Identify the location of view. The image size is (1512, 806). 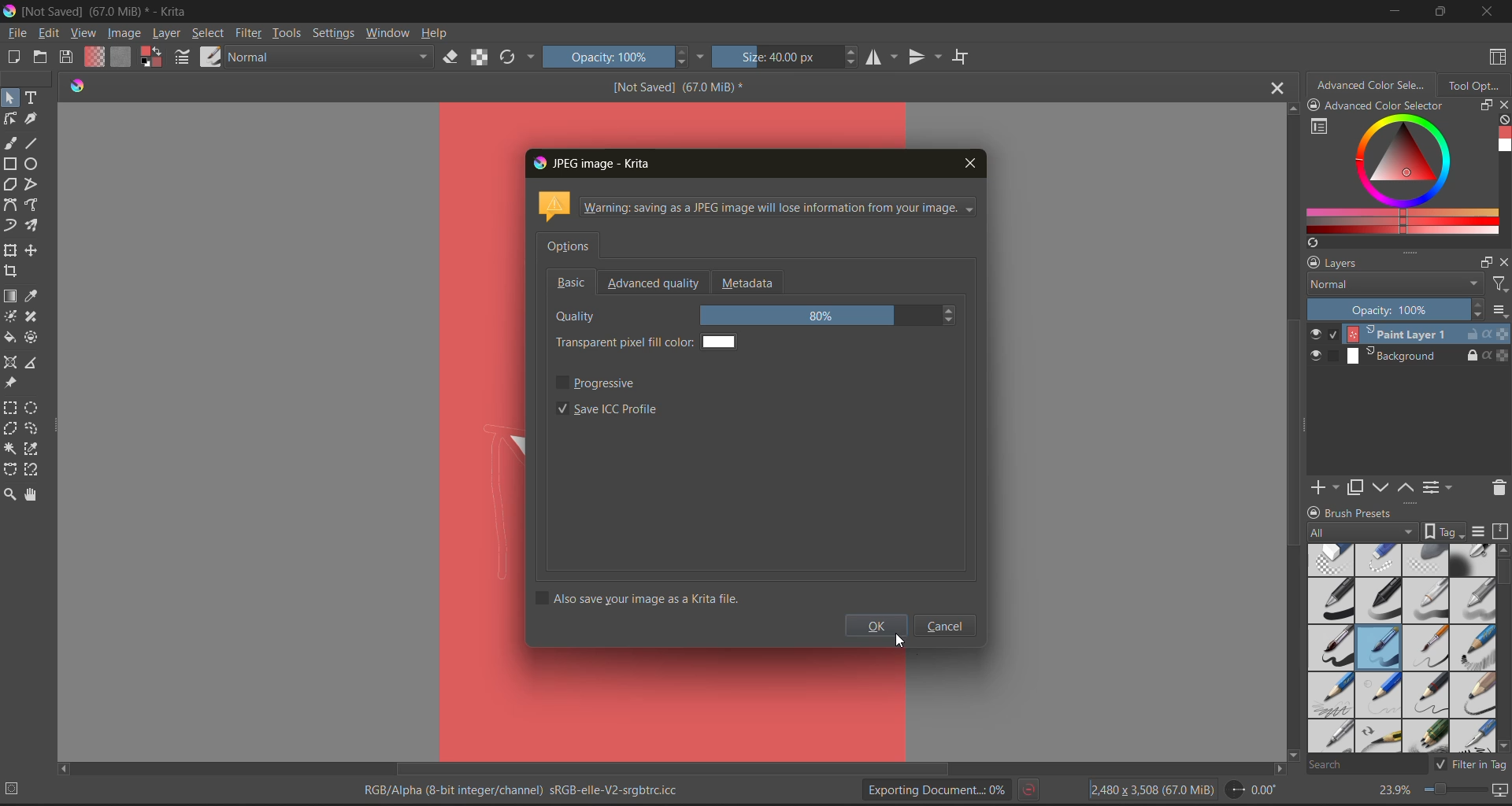
(83, 33).